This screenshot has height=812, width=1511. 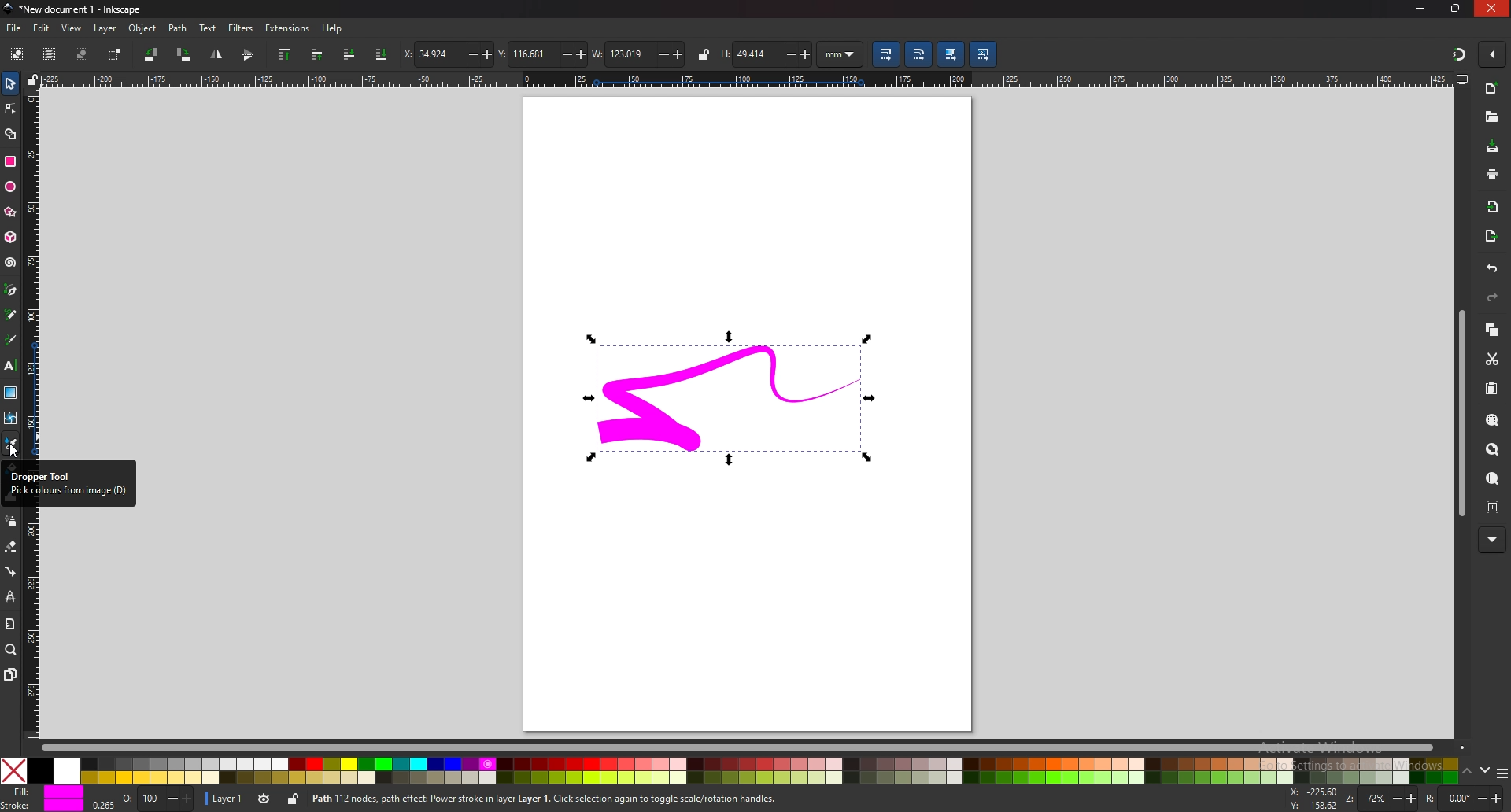 What do you see at coordinates (43, 805) in the screenshot?
I see `stroke` at bounding box center [43, 805].